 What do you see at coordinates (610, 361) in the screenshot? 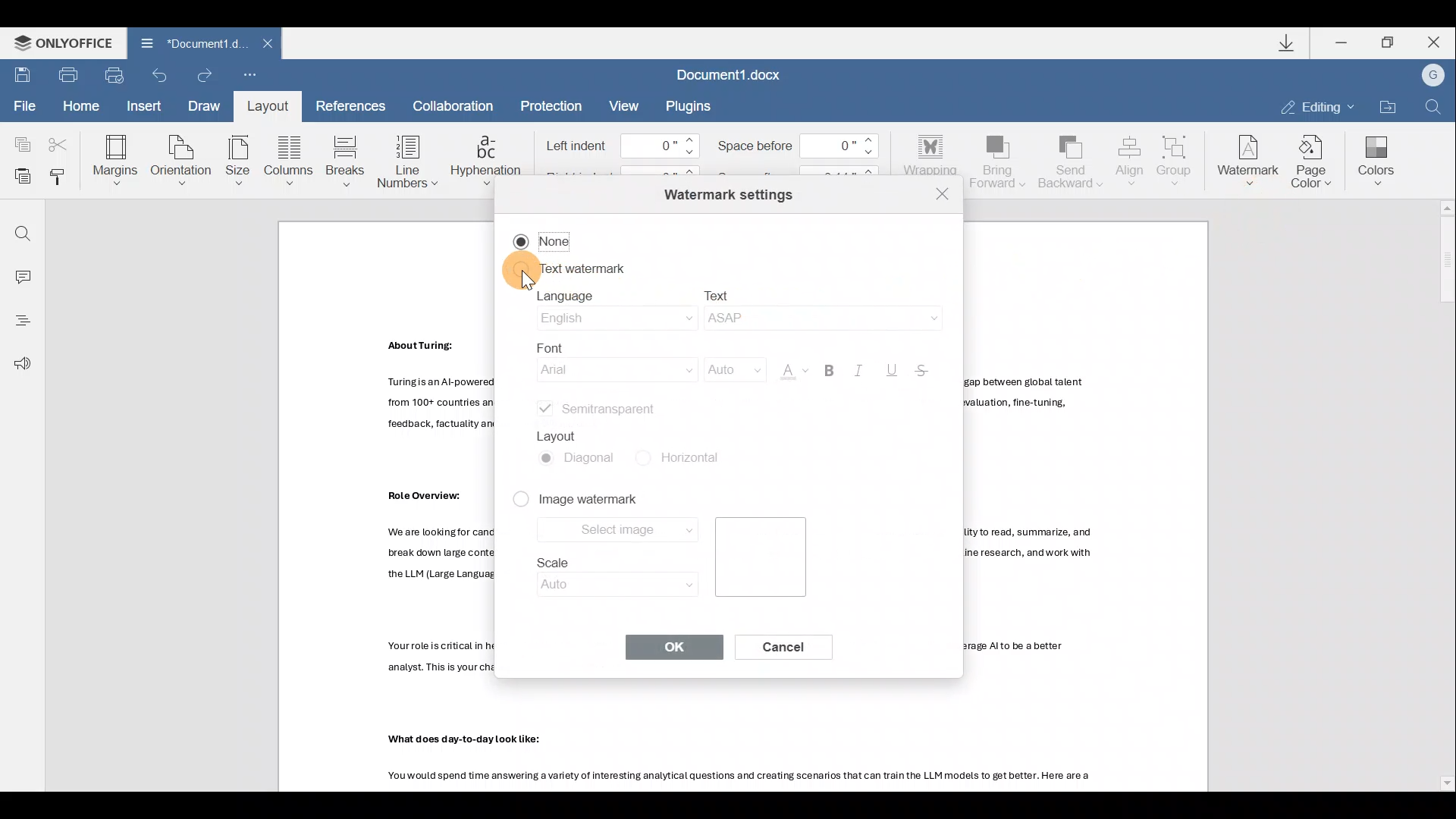
I see `Font name` at bounding box center [610, 361].